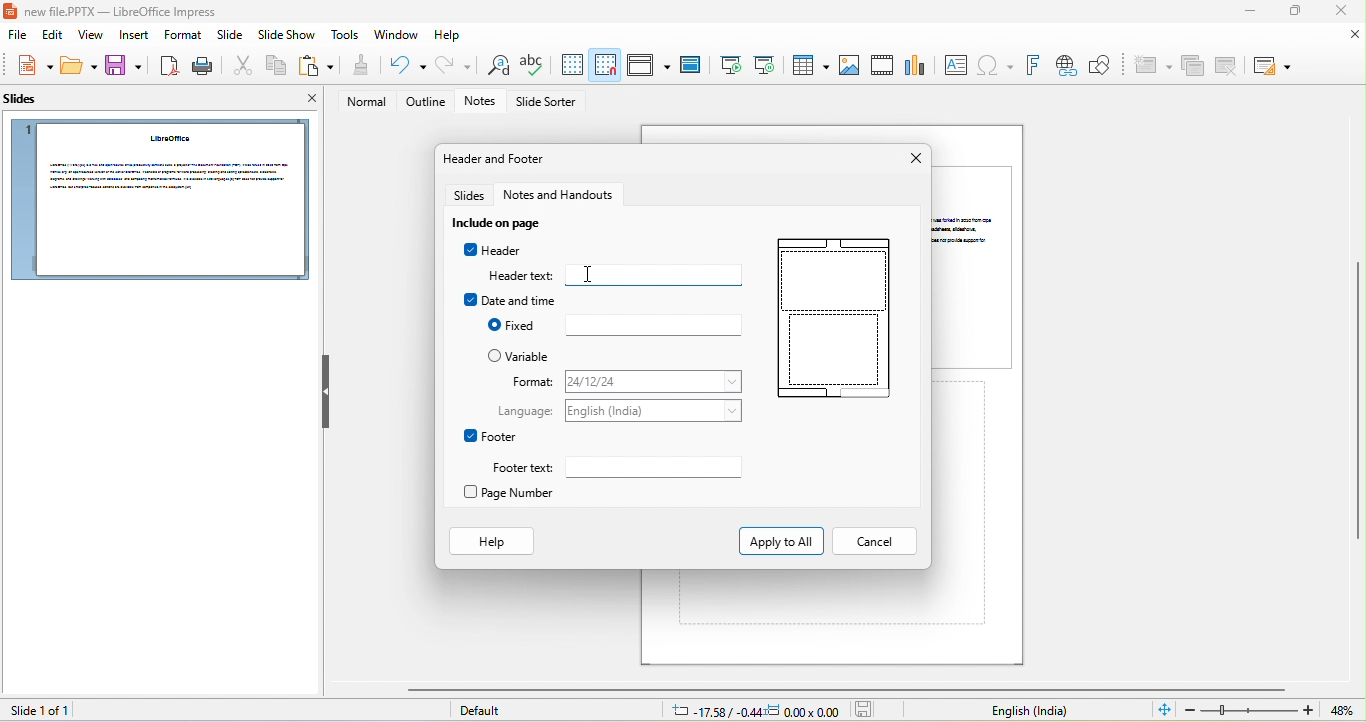  I want to click on start from current slide, so click(764, 64).